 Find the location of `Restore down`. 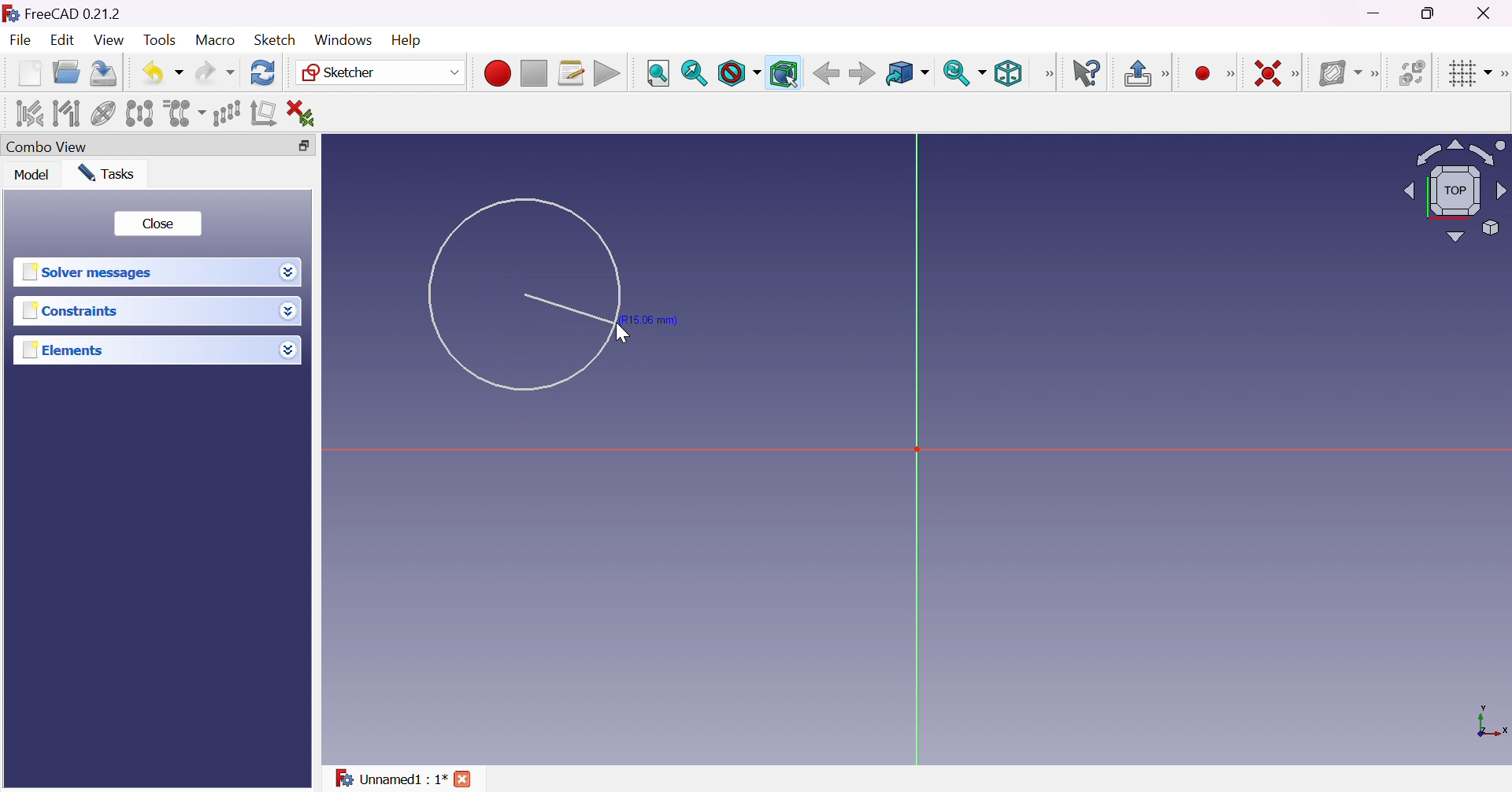

Restore down is located at coordinates (1430, 13).